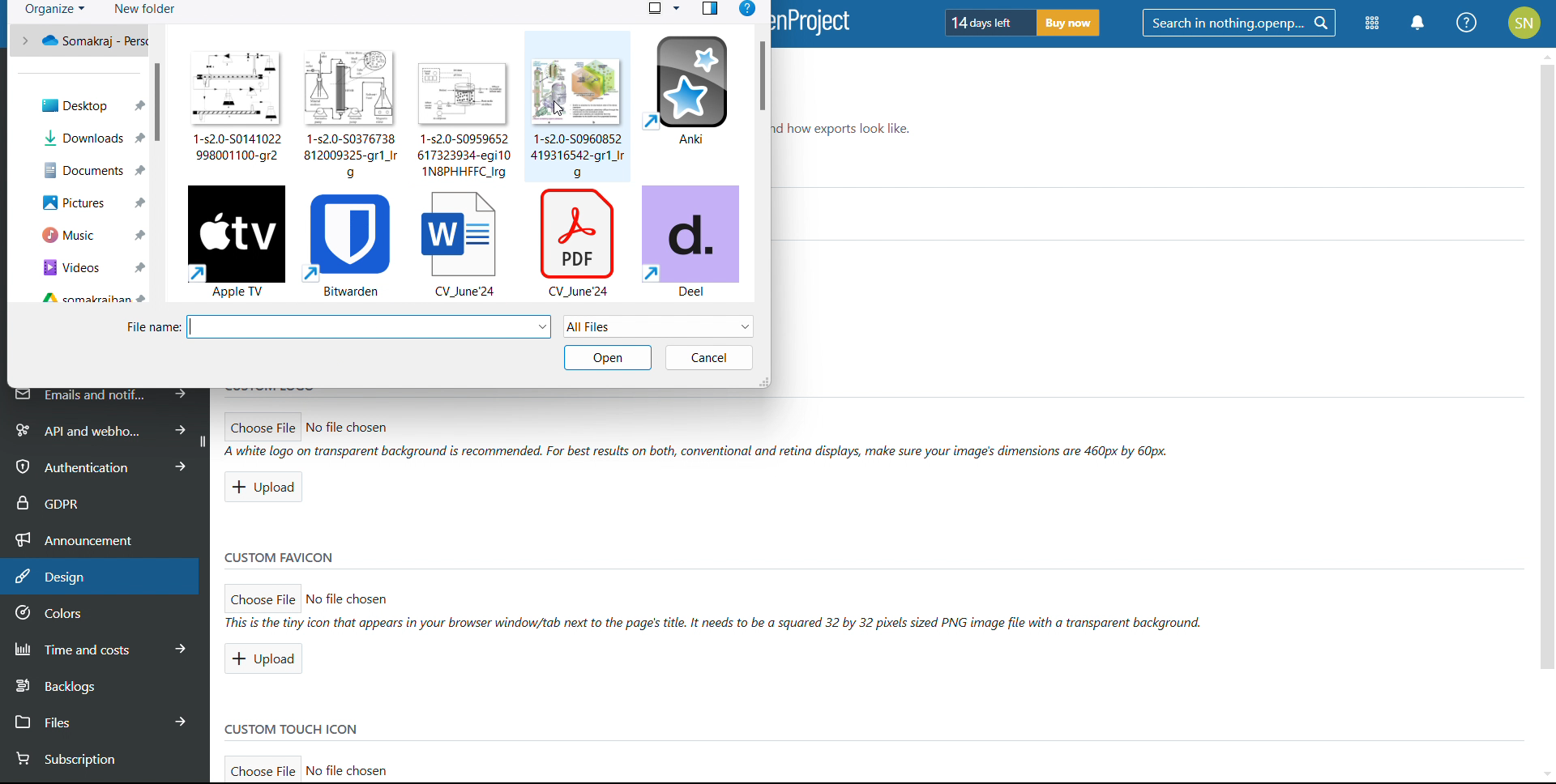 The image size is (1556, 784). What do you see at coordinates (1238, 23) in the screenshot?
I see `search` at bounding box center [1238, 23].